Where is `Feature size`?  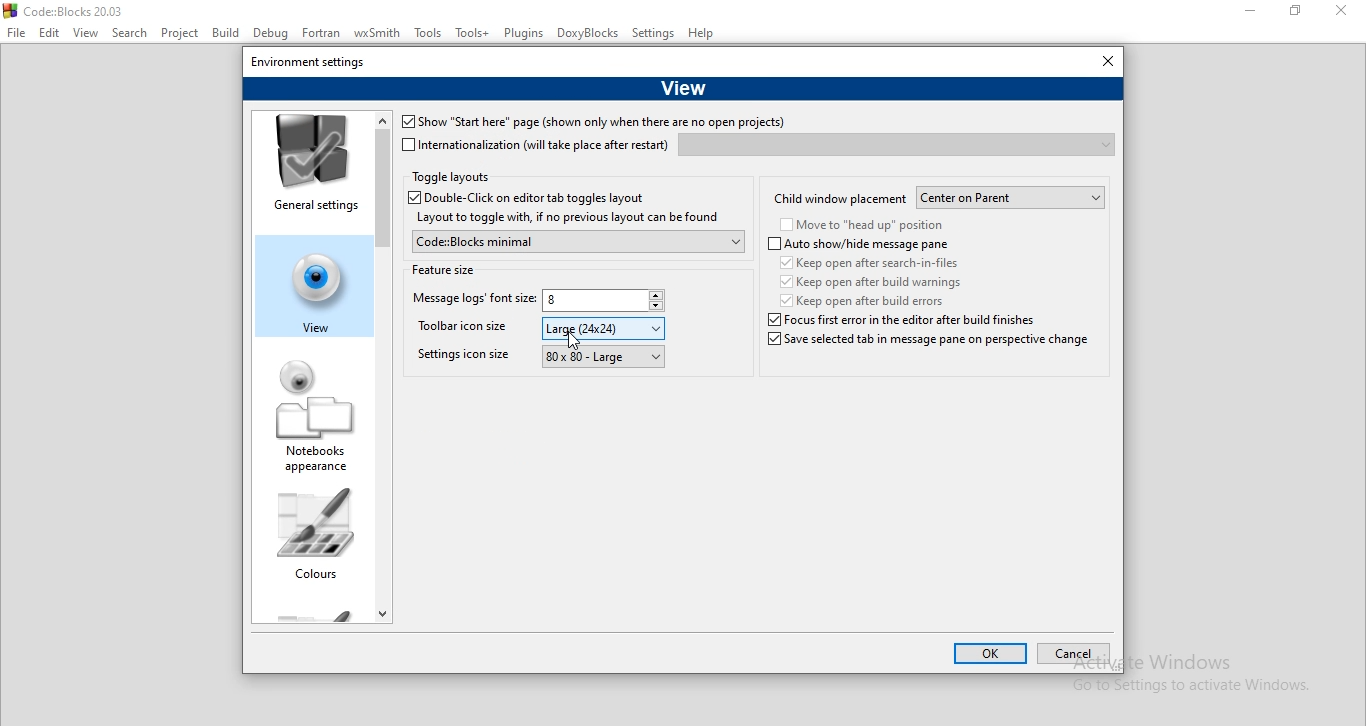 Feature size is located at coordinates (444, 268).